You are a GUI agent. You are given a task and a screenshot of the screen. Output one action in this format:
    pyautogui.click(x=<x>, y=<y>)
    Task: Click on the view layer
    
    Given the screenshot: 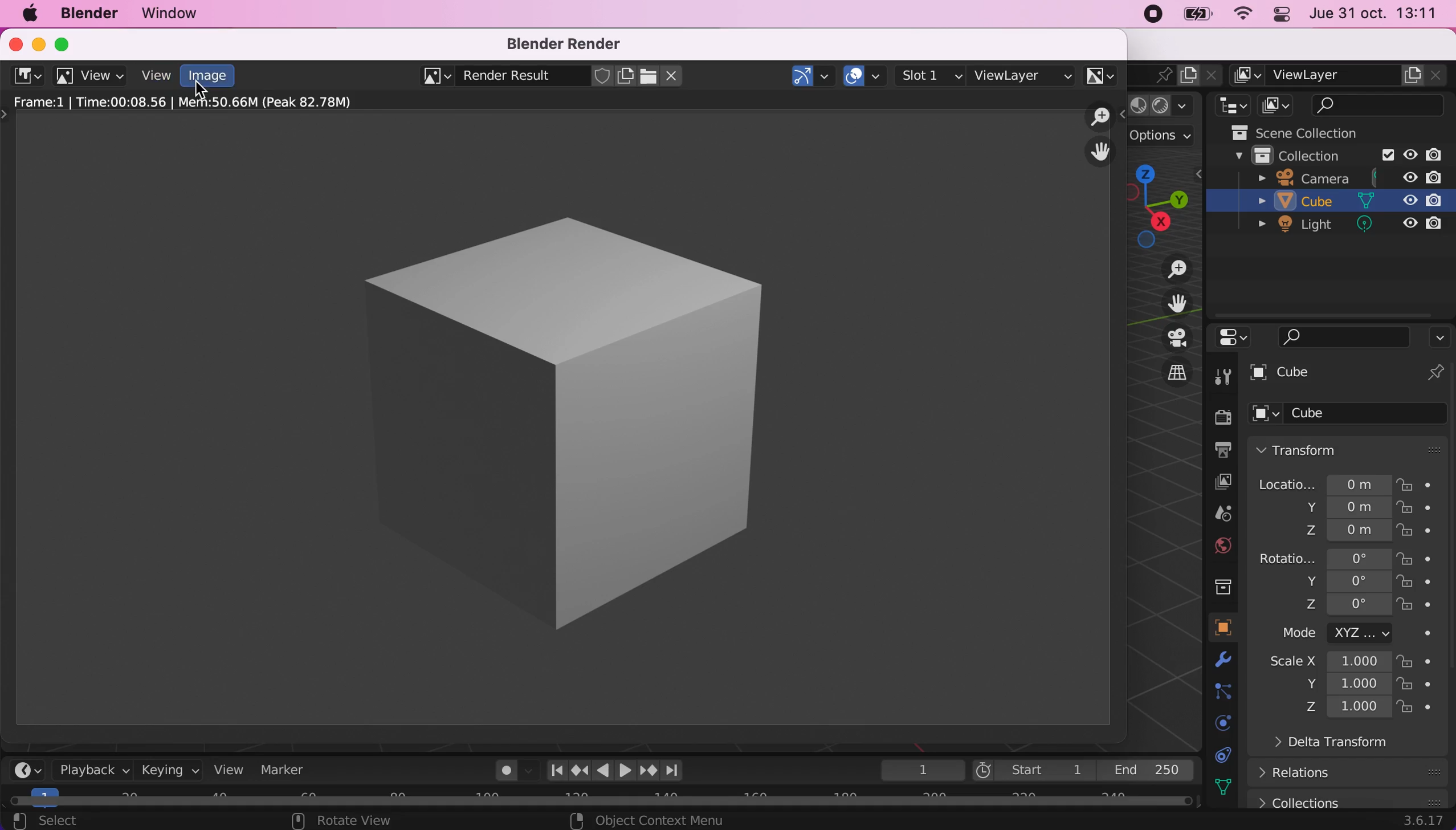 What is the action you would take?
    pyautogui.click(x=1341, y=75)
    